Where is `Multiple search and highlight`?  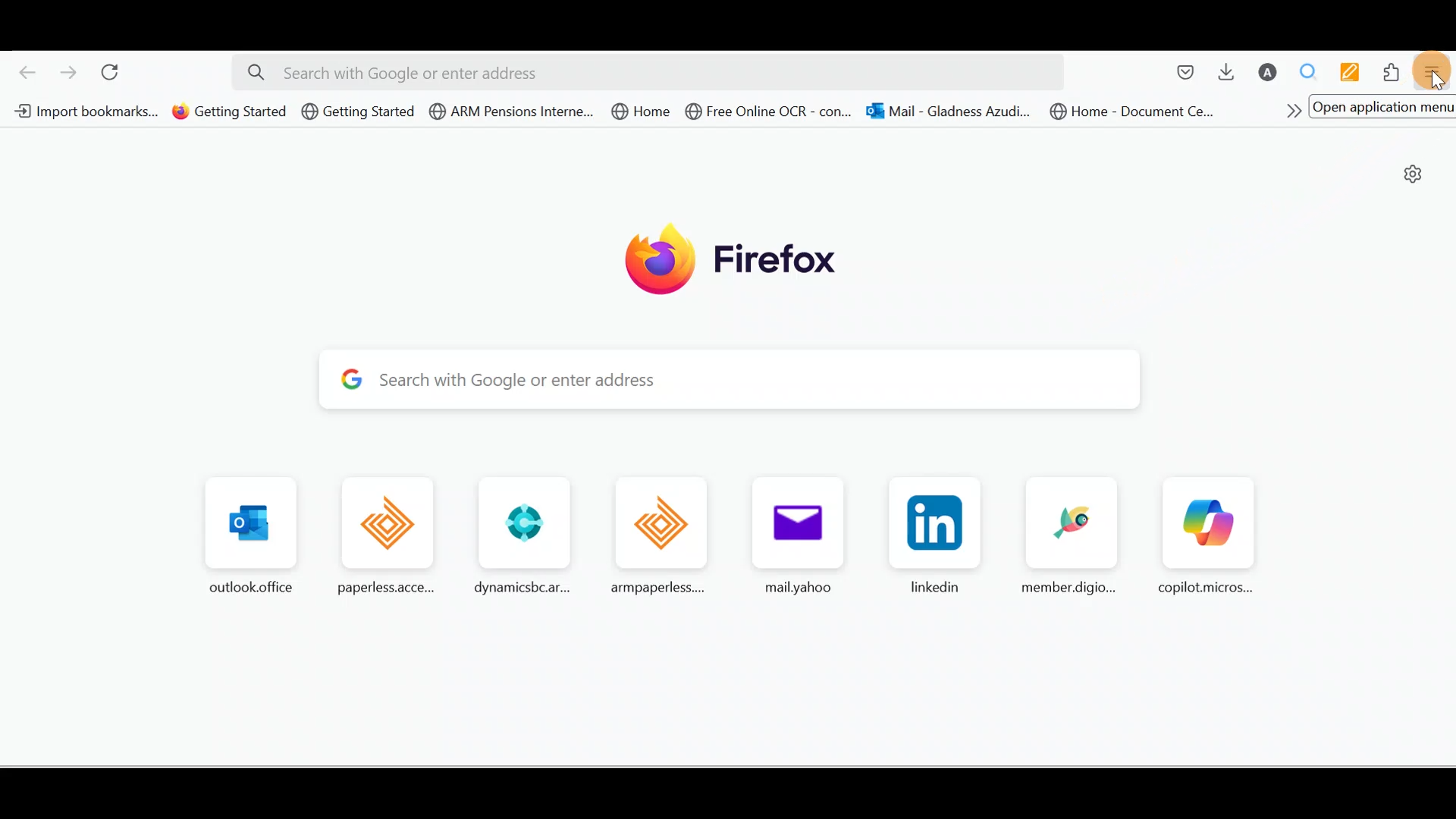
Multiple search and highlight is located at coordinates (1313, 72).